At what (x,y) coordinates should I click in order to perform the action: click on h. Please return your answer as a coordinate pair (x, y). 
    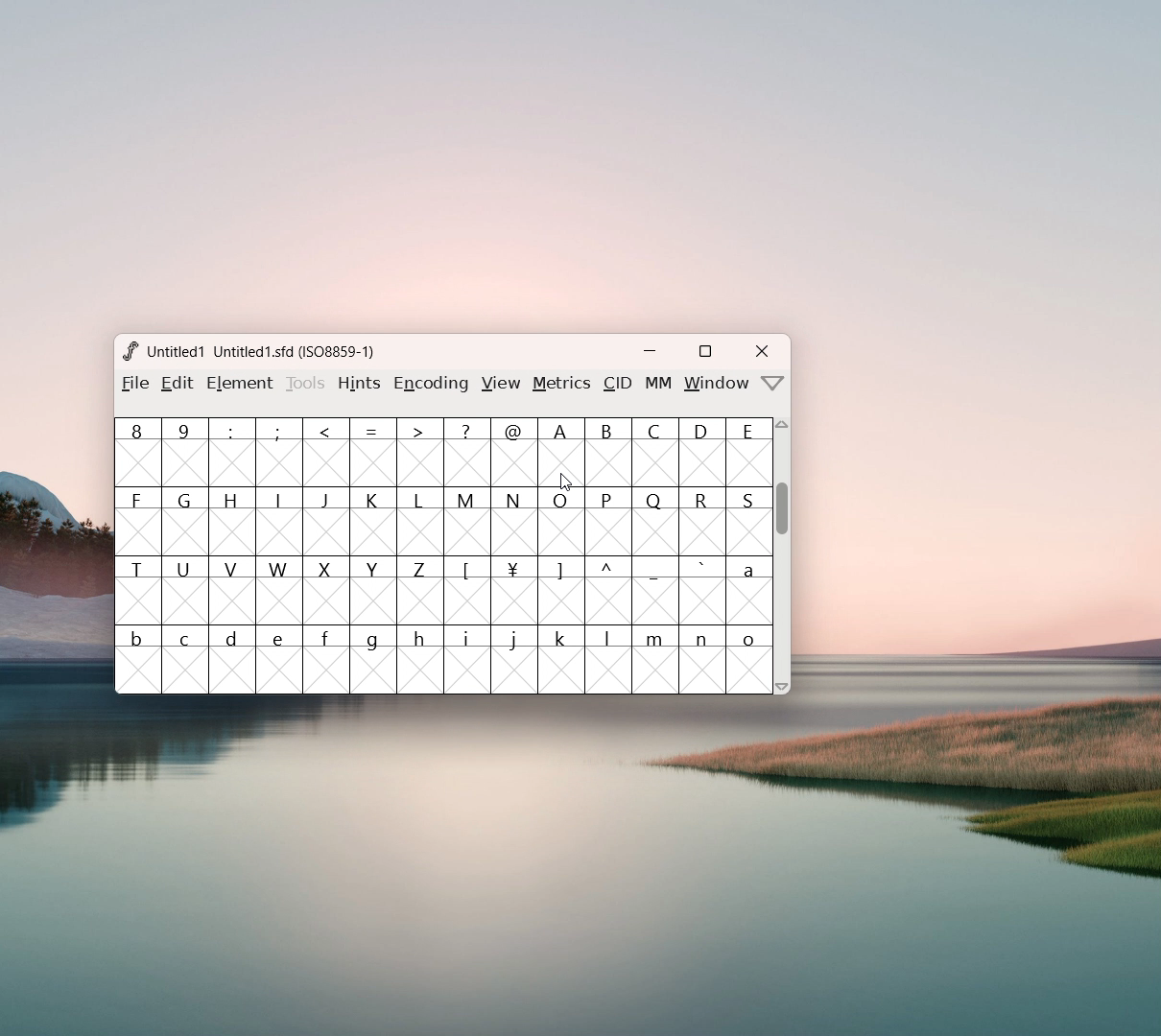
    Looking at the image, I should click on (421, 660).